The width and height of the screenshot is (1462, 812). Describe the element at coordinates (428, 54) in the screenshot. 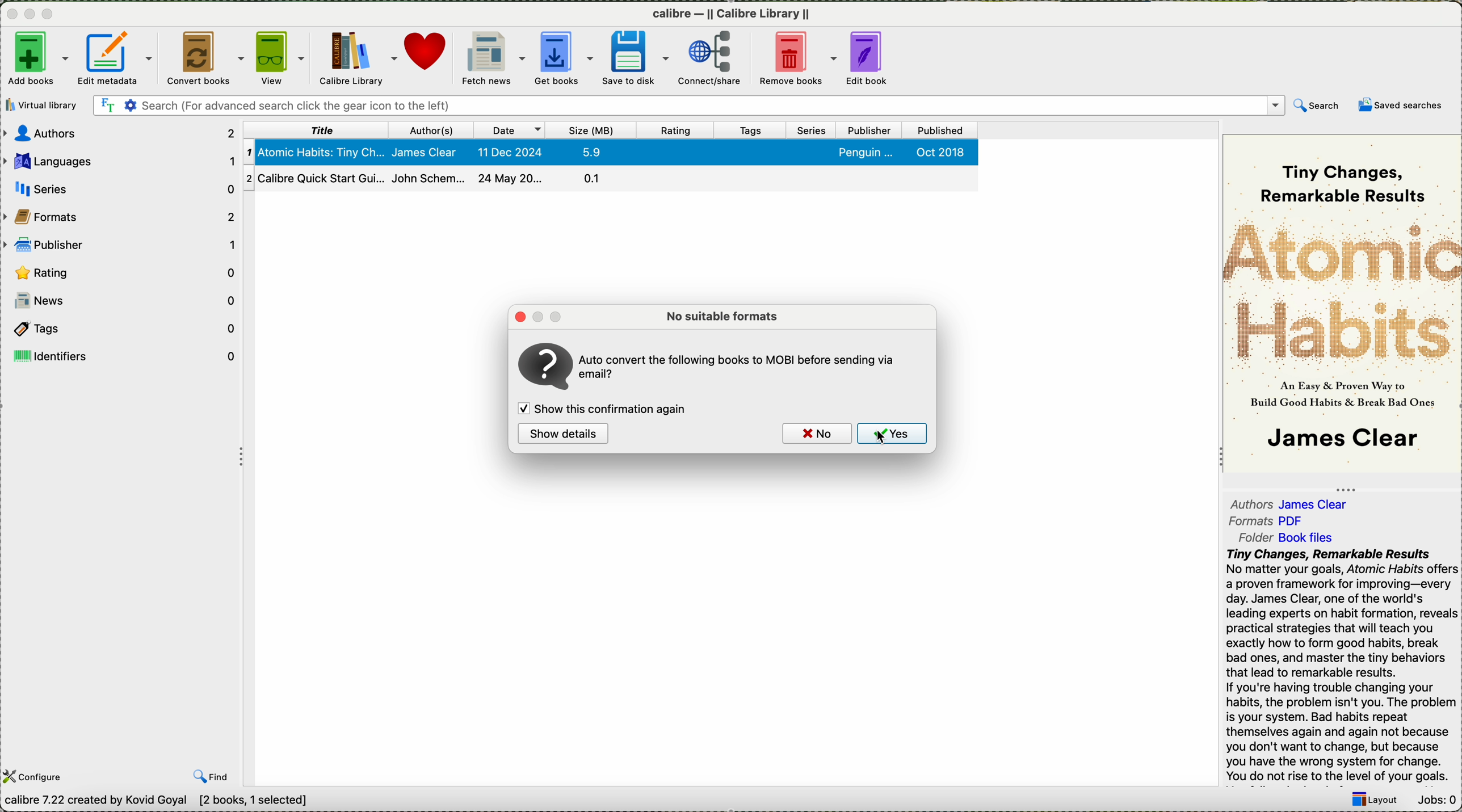

I see `donate` at that location.